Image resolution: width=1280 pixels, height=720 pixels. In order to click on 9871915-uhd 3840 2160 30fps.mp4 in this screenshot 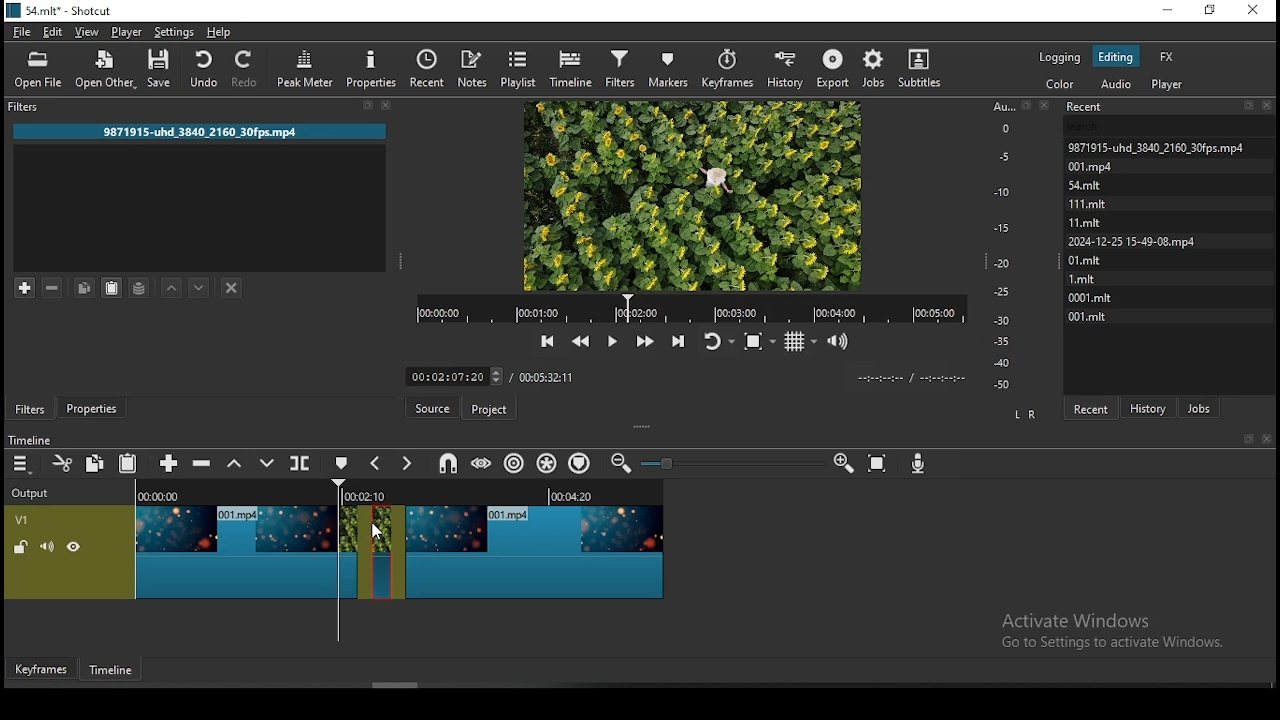, I will do `click(209, 133)`.